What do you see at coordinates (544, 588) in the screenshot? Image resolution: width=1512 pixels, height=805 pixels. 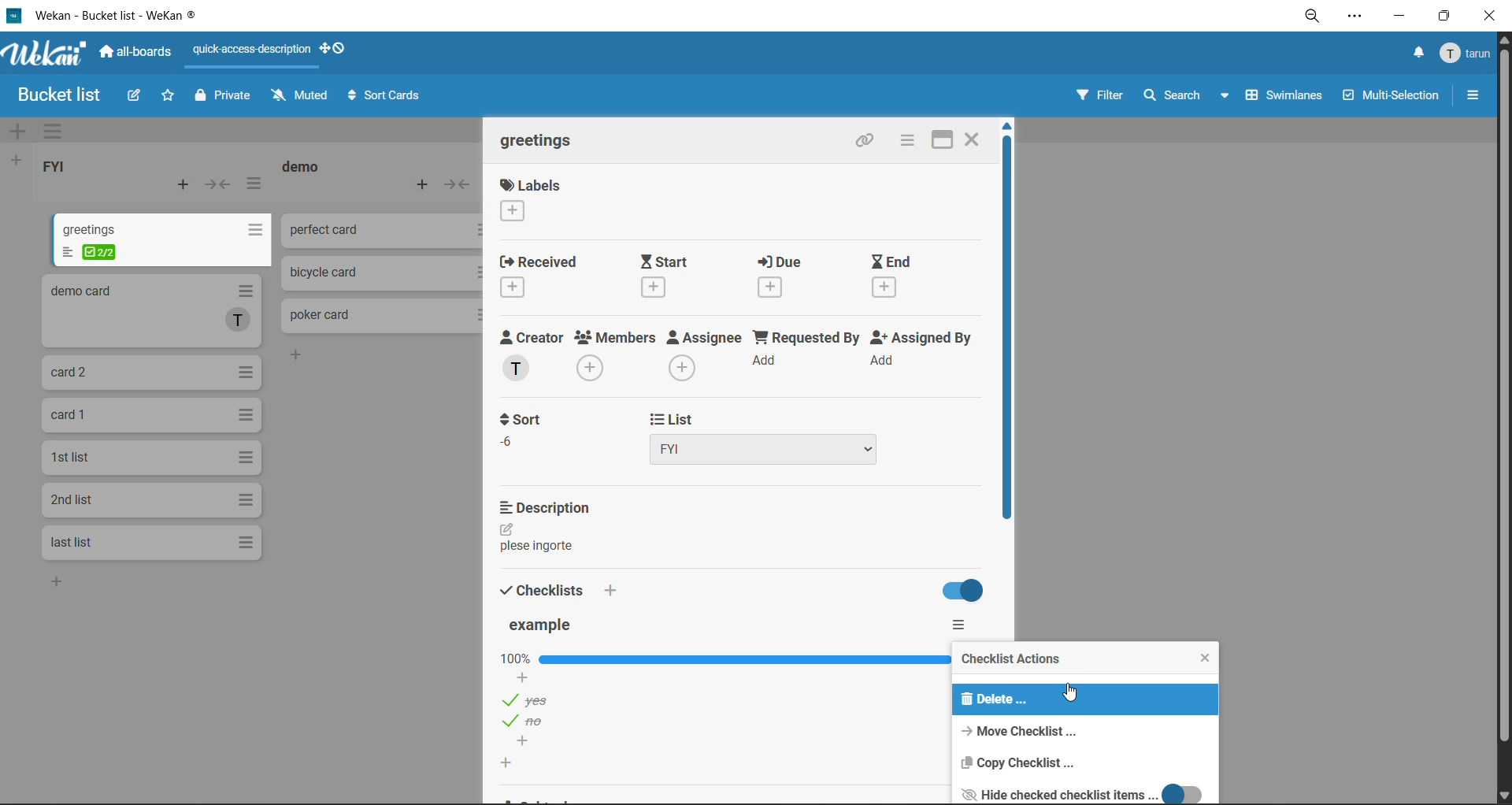 I see `checklists` at bounding box center [544, 588].